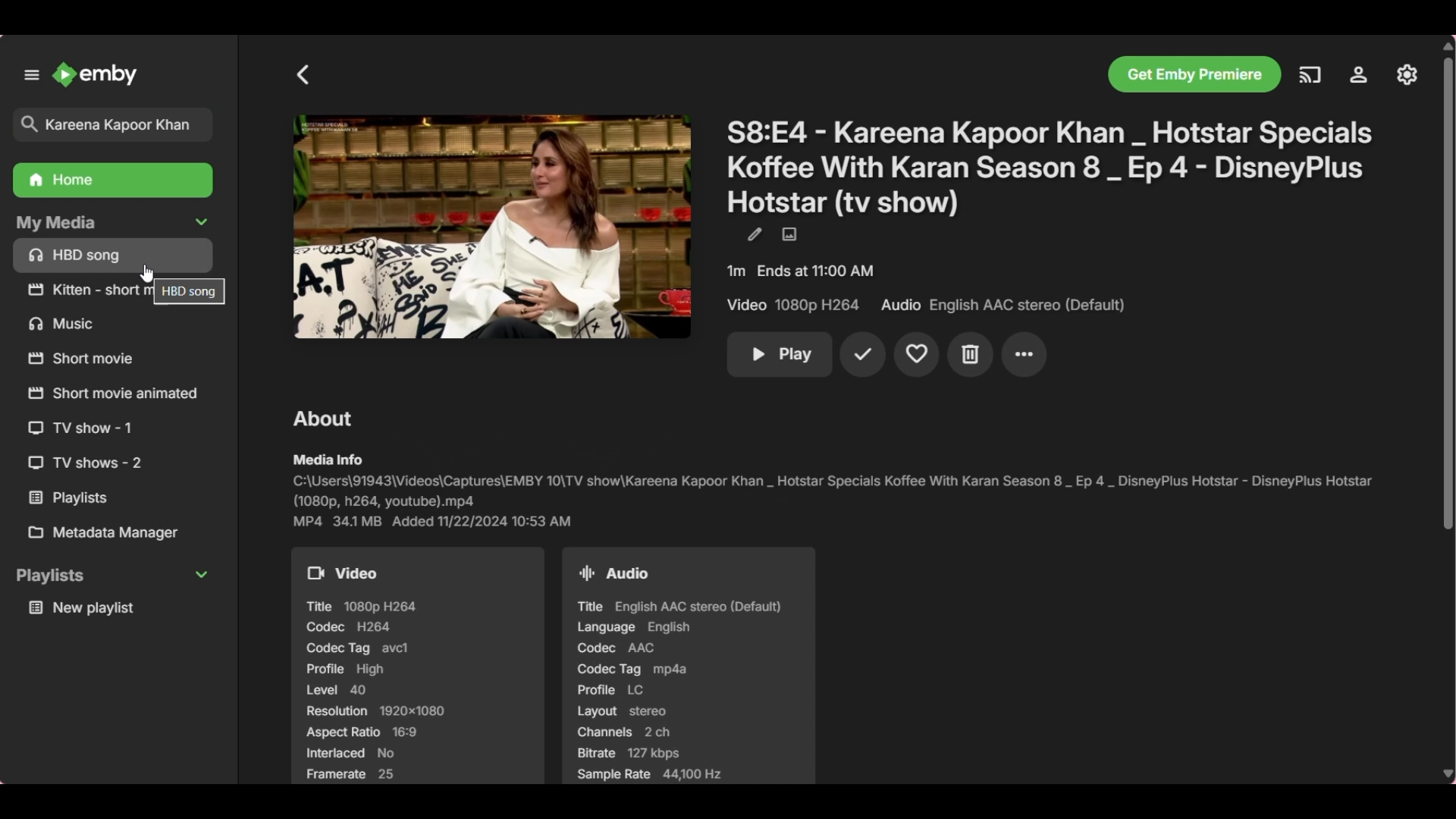  I want to click on Unpin left panel, so click(31, 74).